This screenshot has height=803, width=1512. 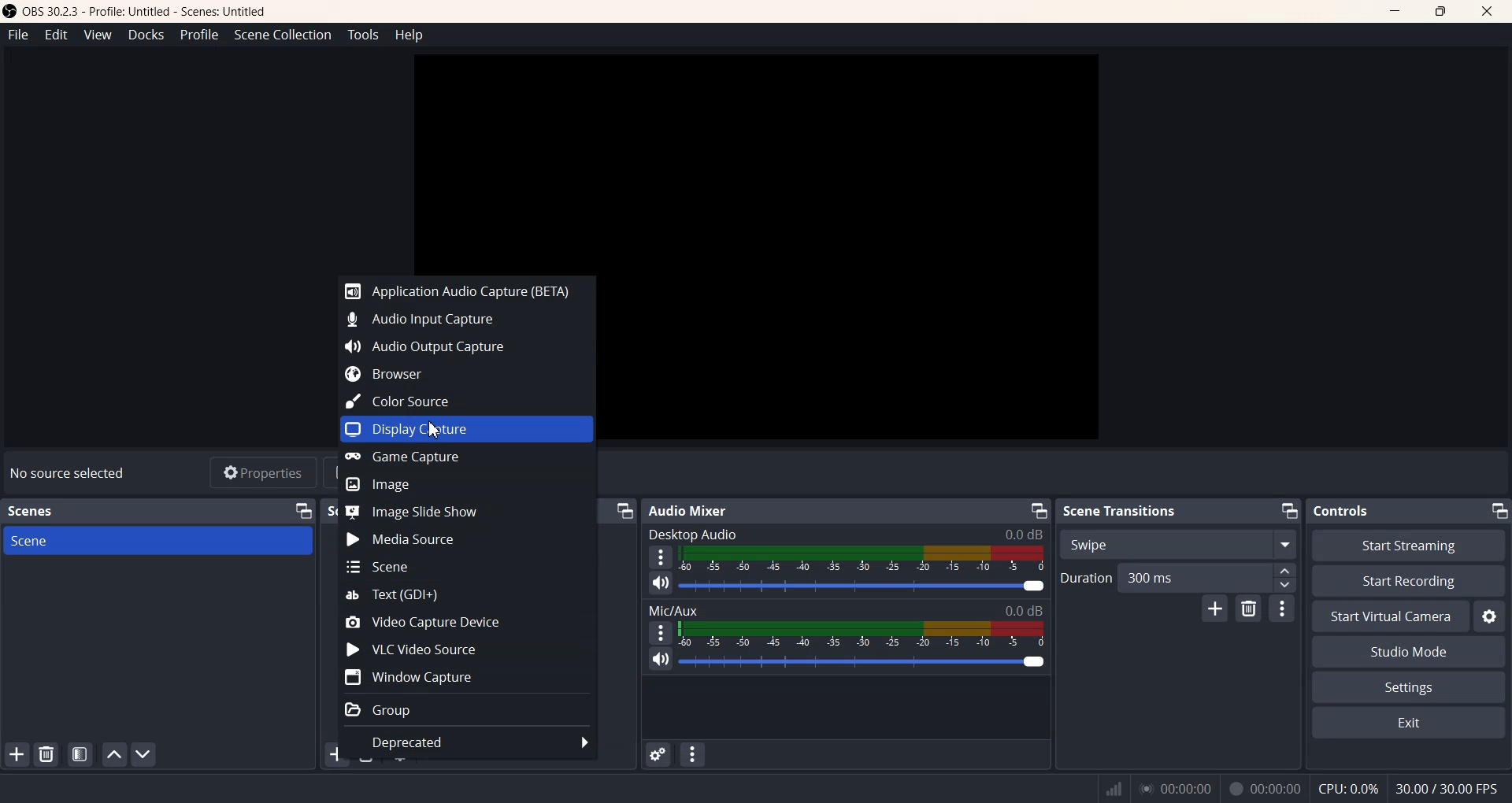 I want to click on Docks, so click(x=146, y=35).